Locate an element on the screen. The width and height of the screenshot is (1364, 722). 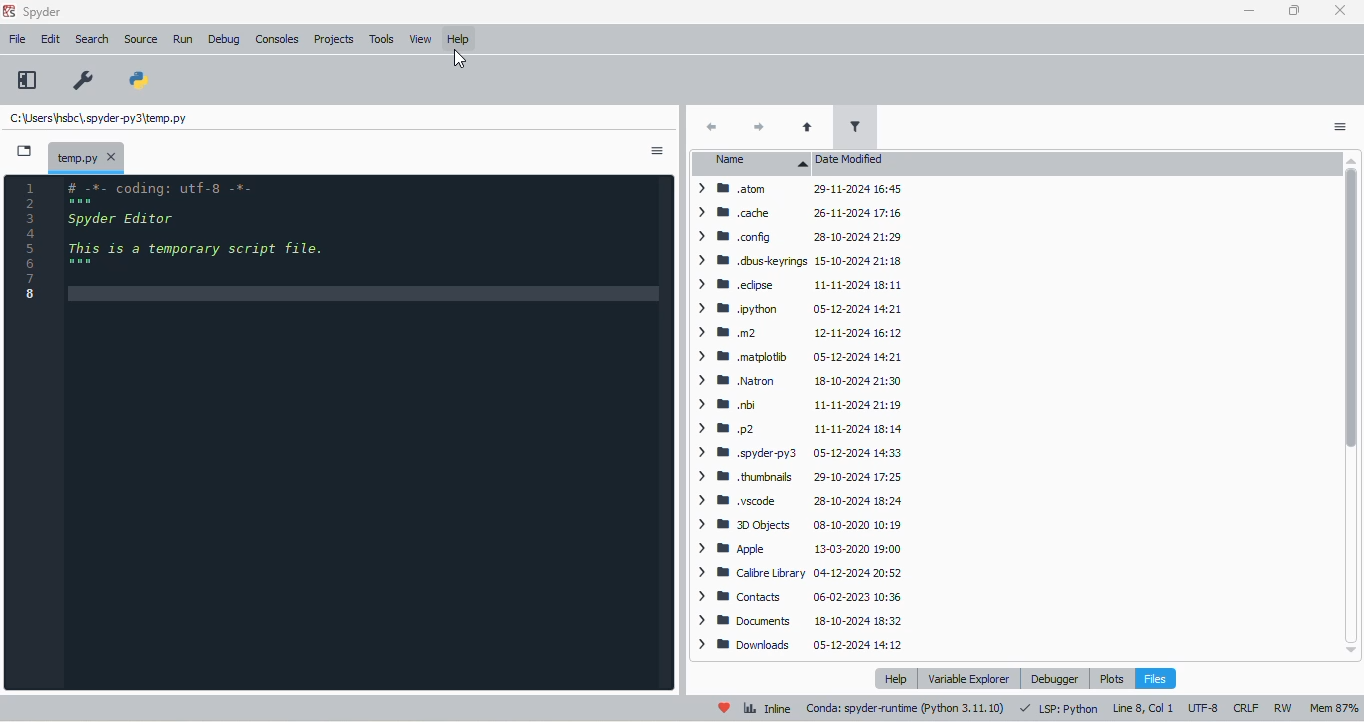
spyder is located at coordinates (43, 12).